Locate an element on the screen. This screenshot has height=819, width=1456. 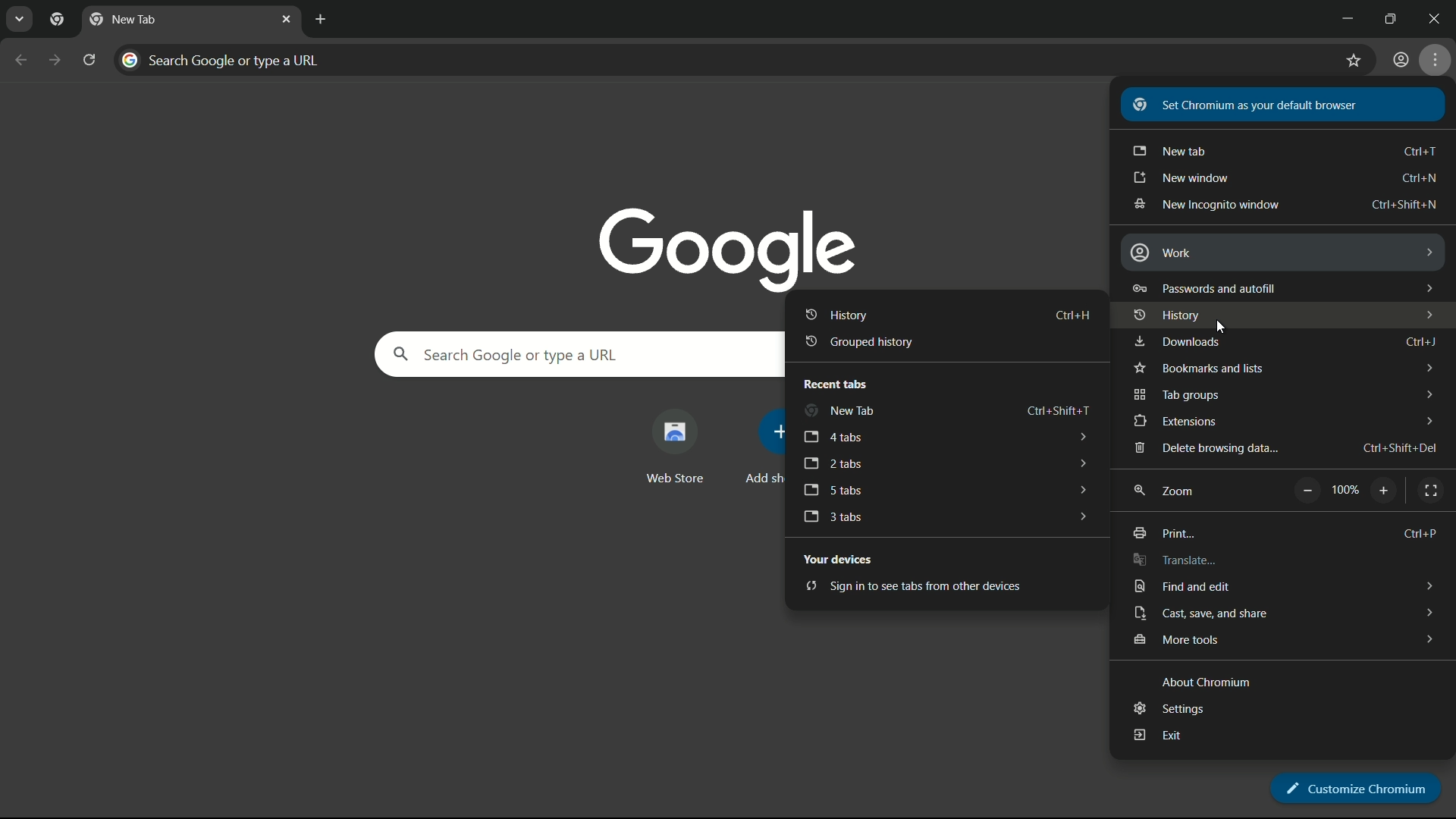
dropdown arrows is located at coordinates (1080, 487).